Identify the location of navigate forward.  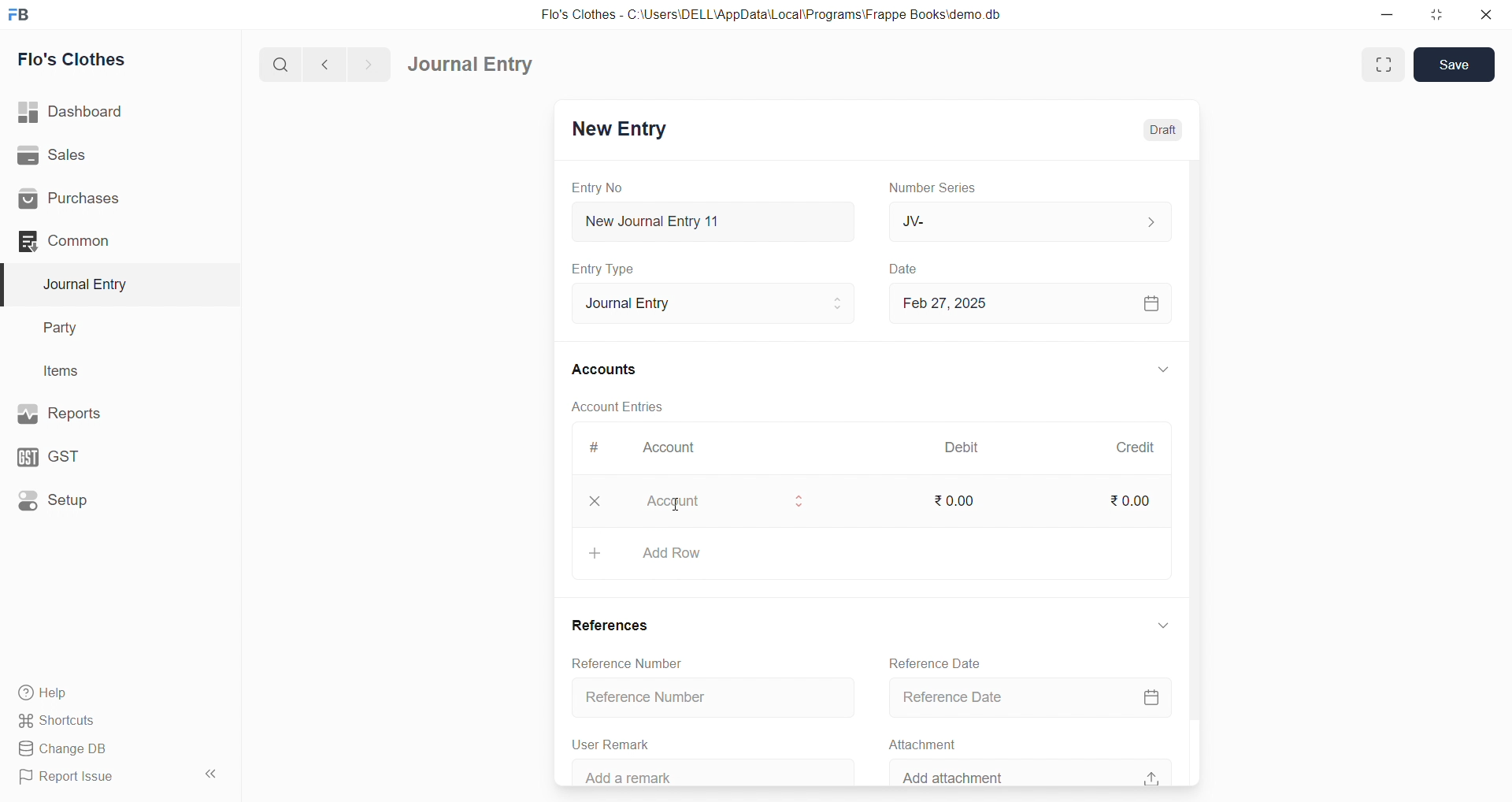
(372, 64).